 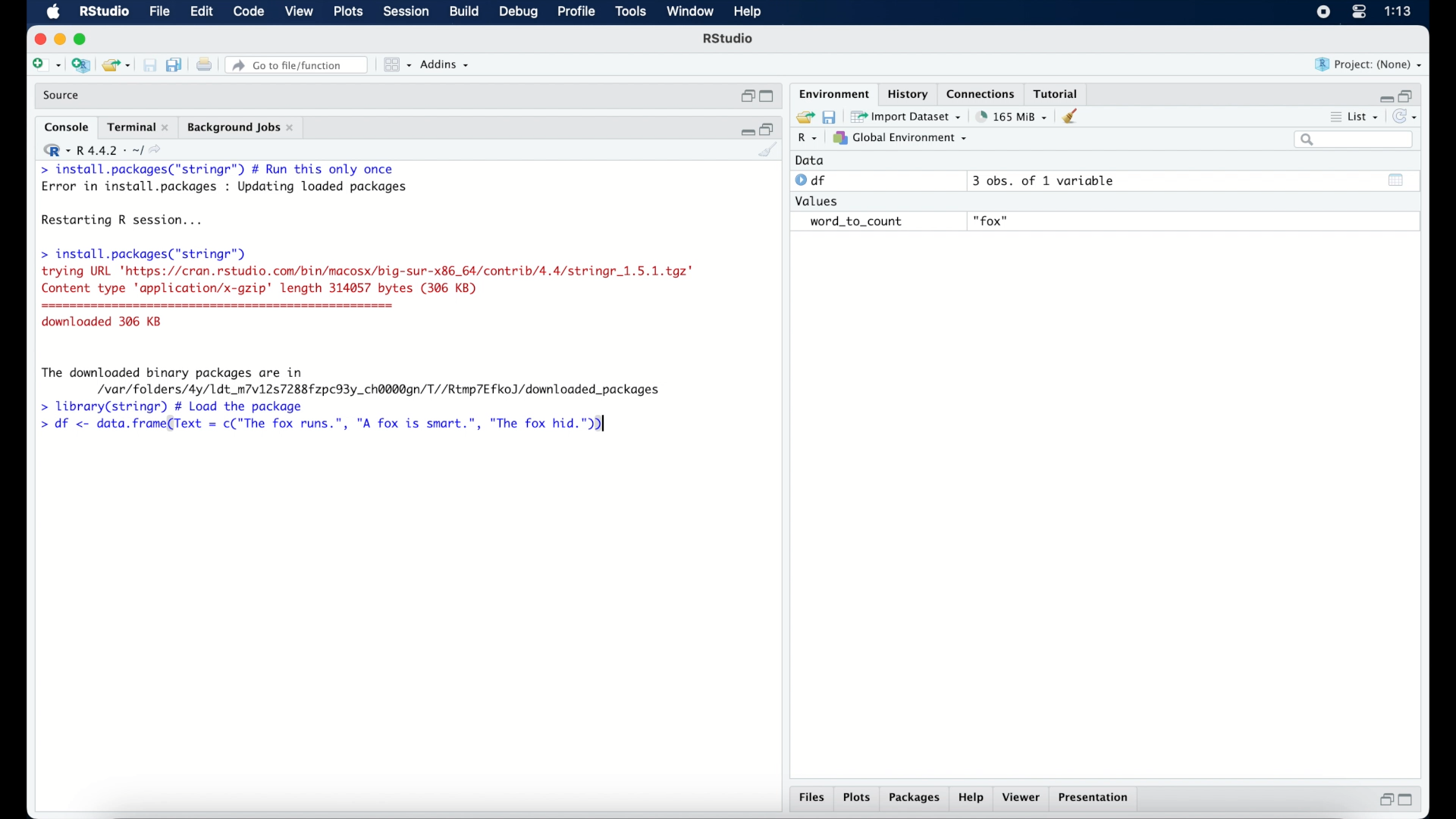 What do you see at coordinates (161, 12) in the screenshot?
I see `file` at bounding box center [161, 12].